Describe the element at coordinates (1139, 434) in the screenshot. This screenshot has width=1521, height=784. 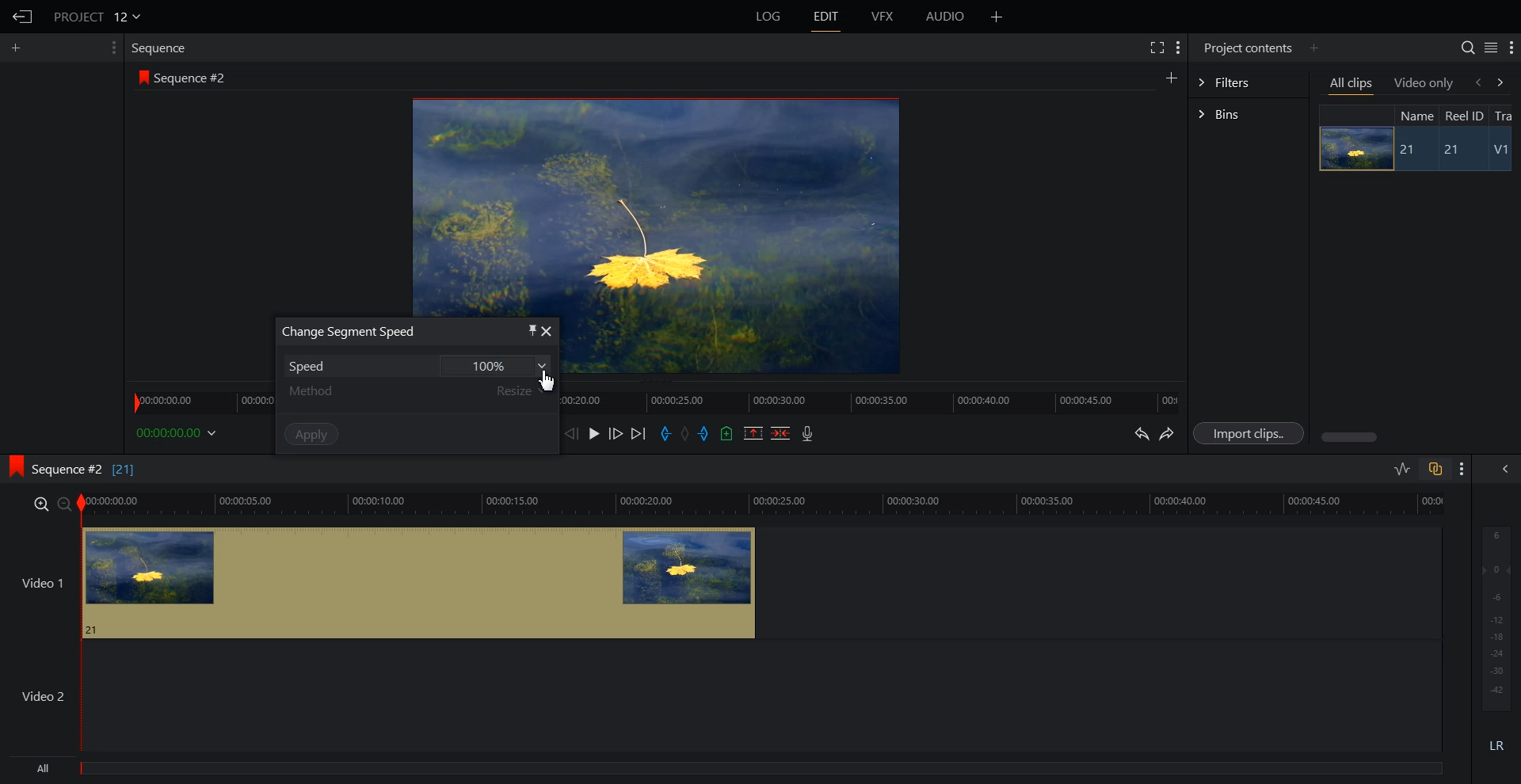
I see `Undo` at that location.